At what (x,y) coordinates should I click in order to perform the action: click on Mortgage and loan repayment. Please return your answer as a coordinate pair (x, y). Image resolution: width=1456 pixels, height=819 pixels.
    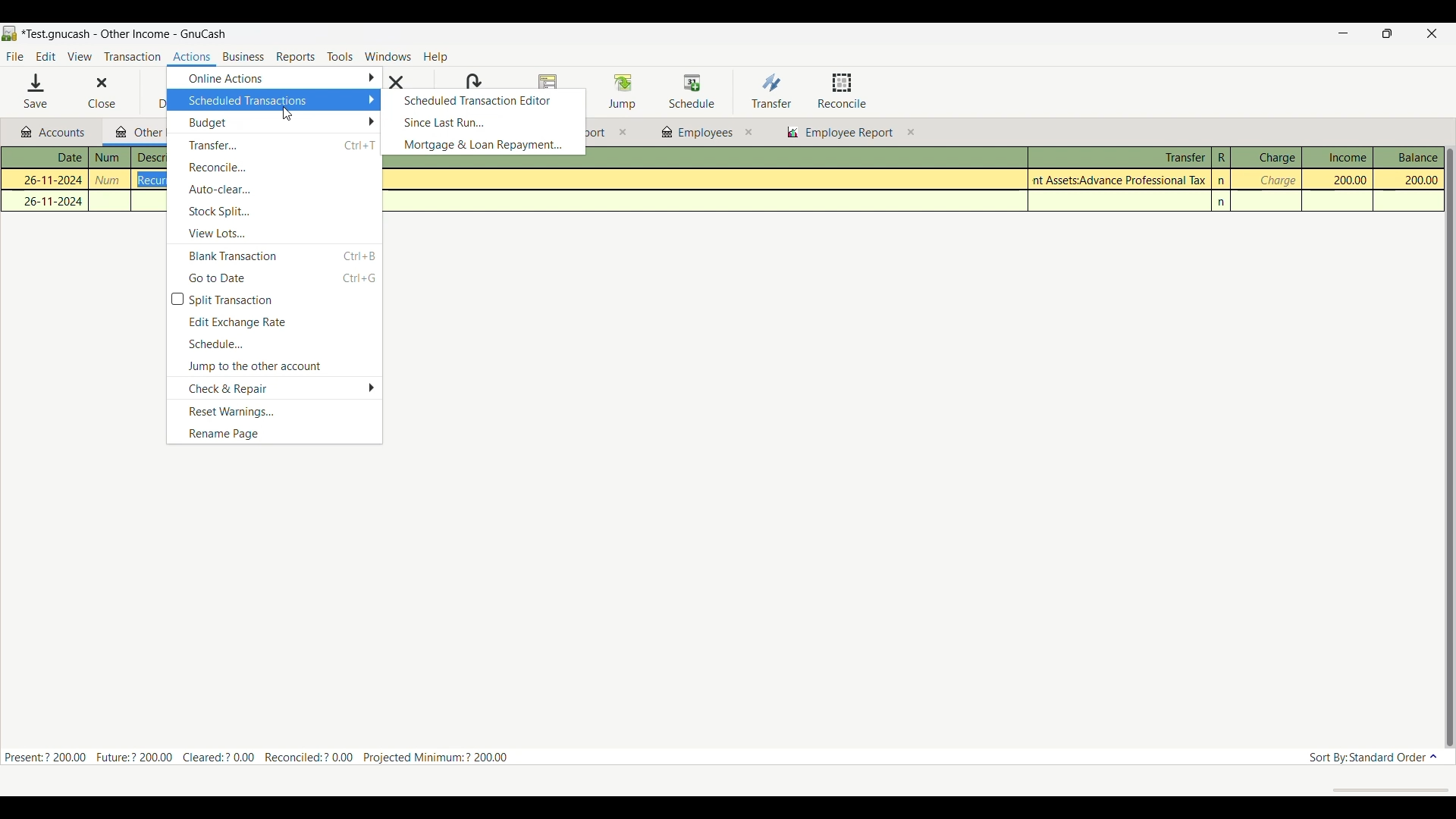
    Looking at the image, I should click on (484, 145).